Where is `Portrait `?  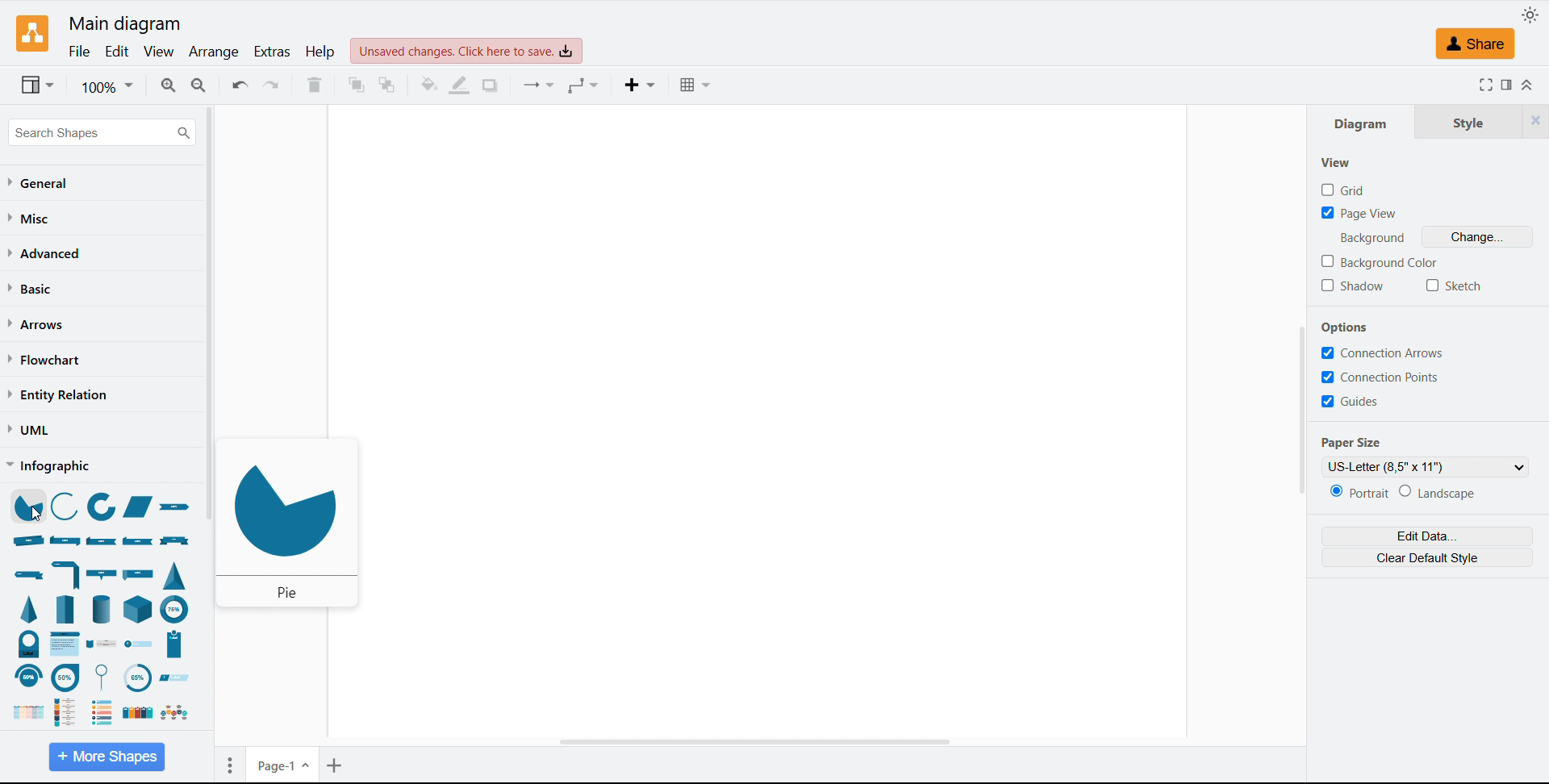 Portrait  is located at coordinates (1359, 493).